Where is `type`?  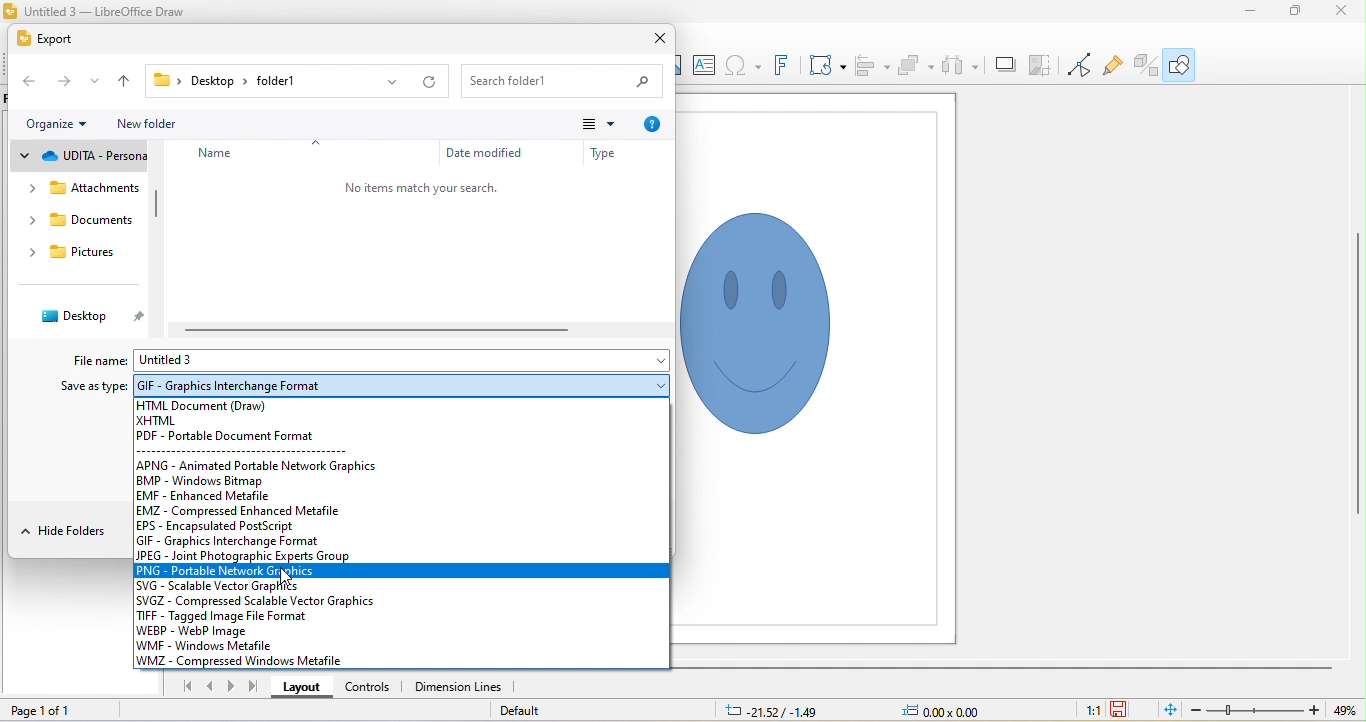 type is located at coordinates (606, 155).